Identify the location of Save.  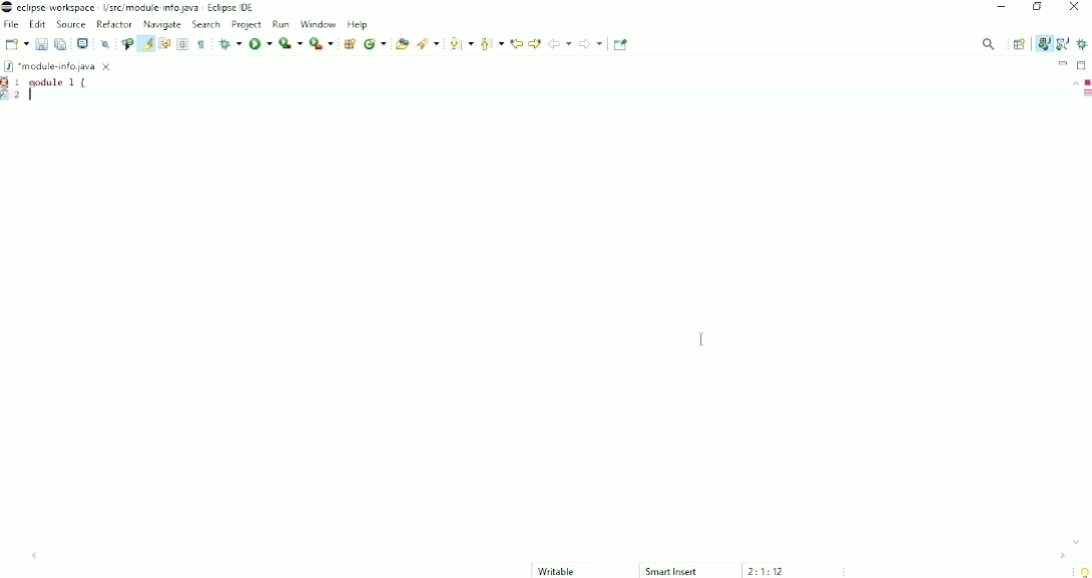
(41, 44).